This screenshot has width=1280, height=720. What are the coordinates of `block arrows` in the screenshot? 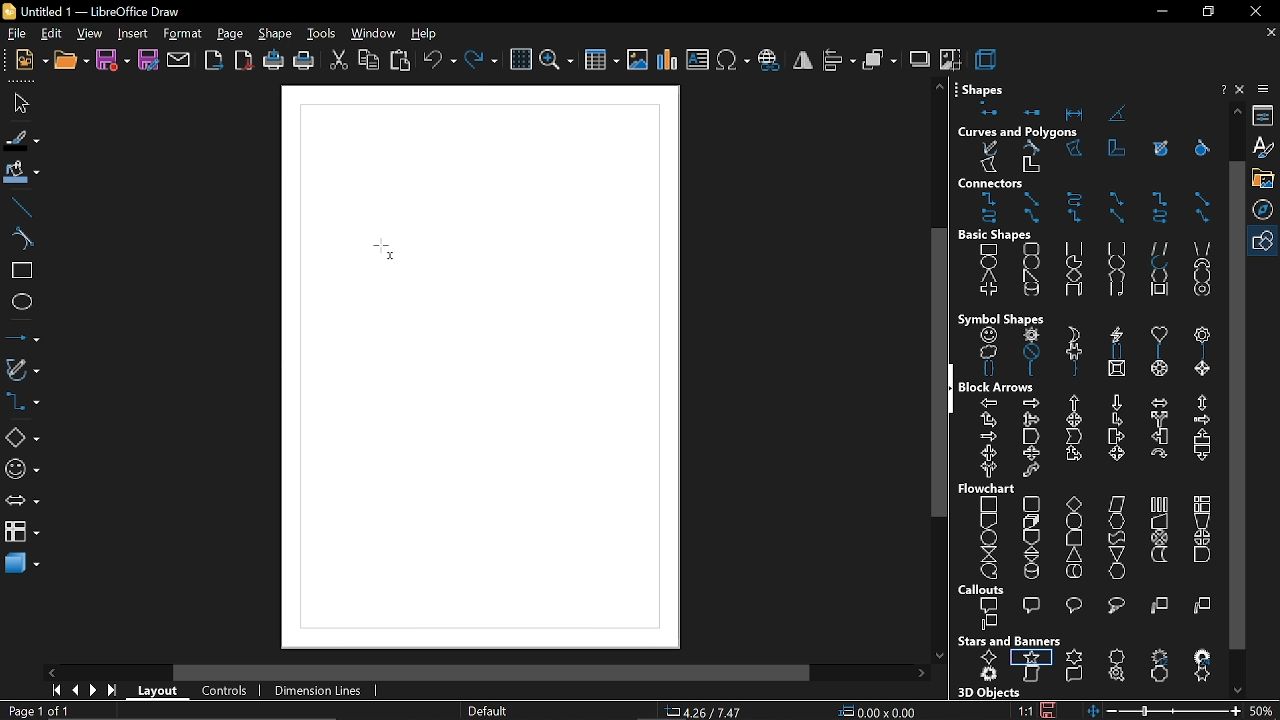 It's located at (1094, 438).